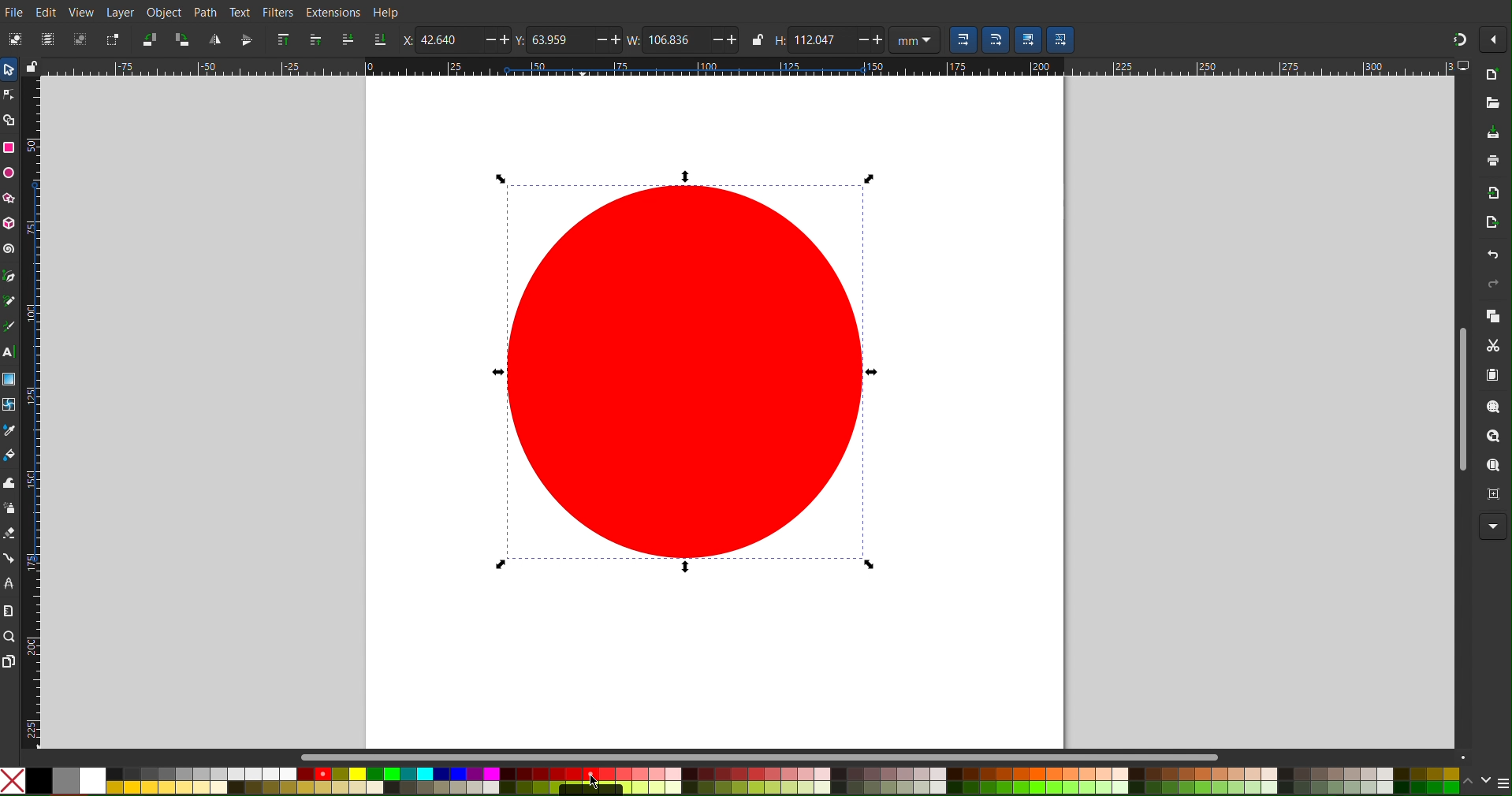  What do you see at coordinates (1493, 497) in the screenshot?
I see `Zoom Center Page` at bounding box center [1493, 497].